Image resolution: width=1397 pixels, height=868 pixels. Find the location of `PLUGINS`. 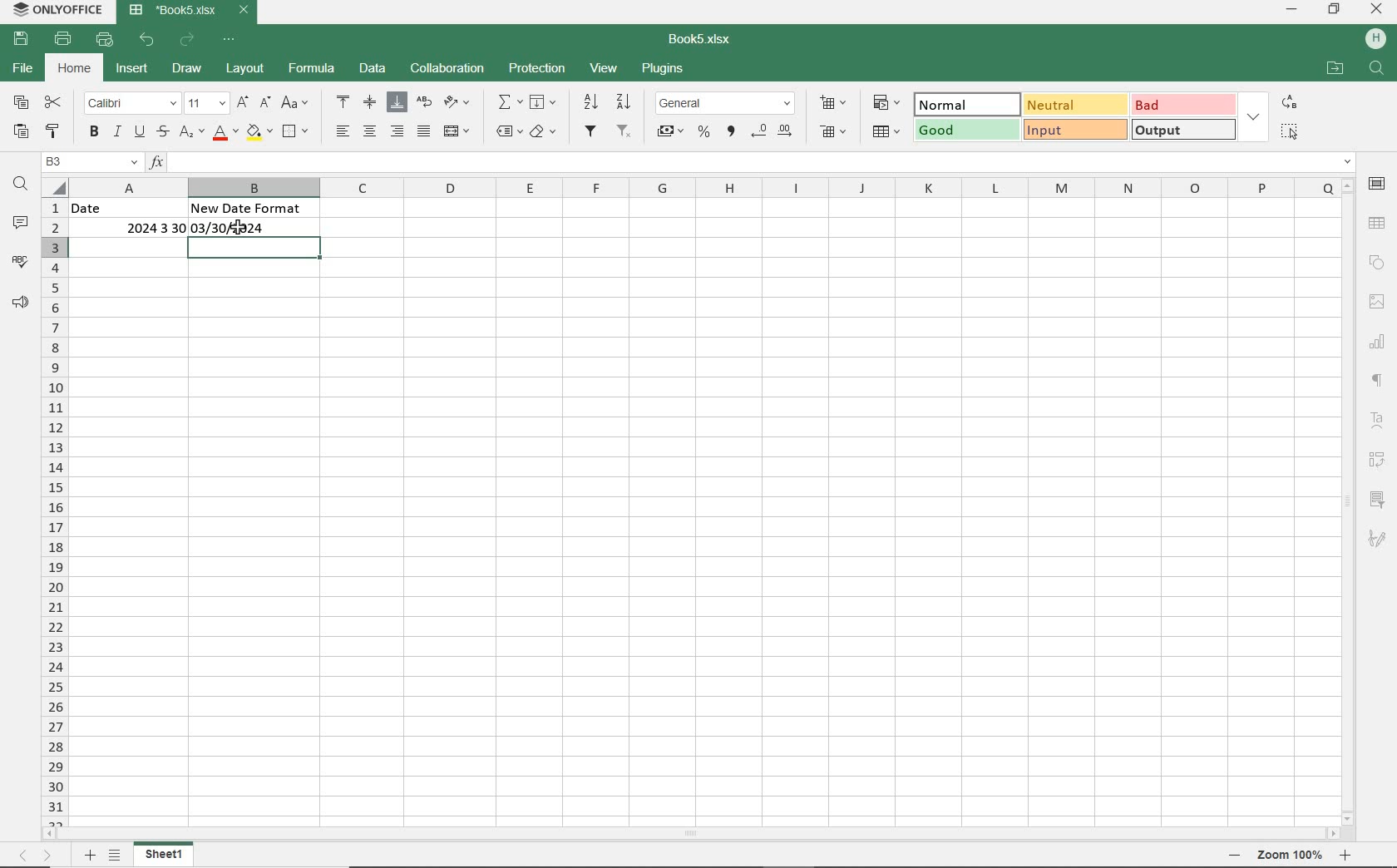

PLUGINS is located at coordinates (662, 70).